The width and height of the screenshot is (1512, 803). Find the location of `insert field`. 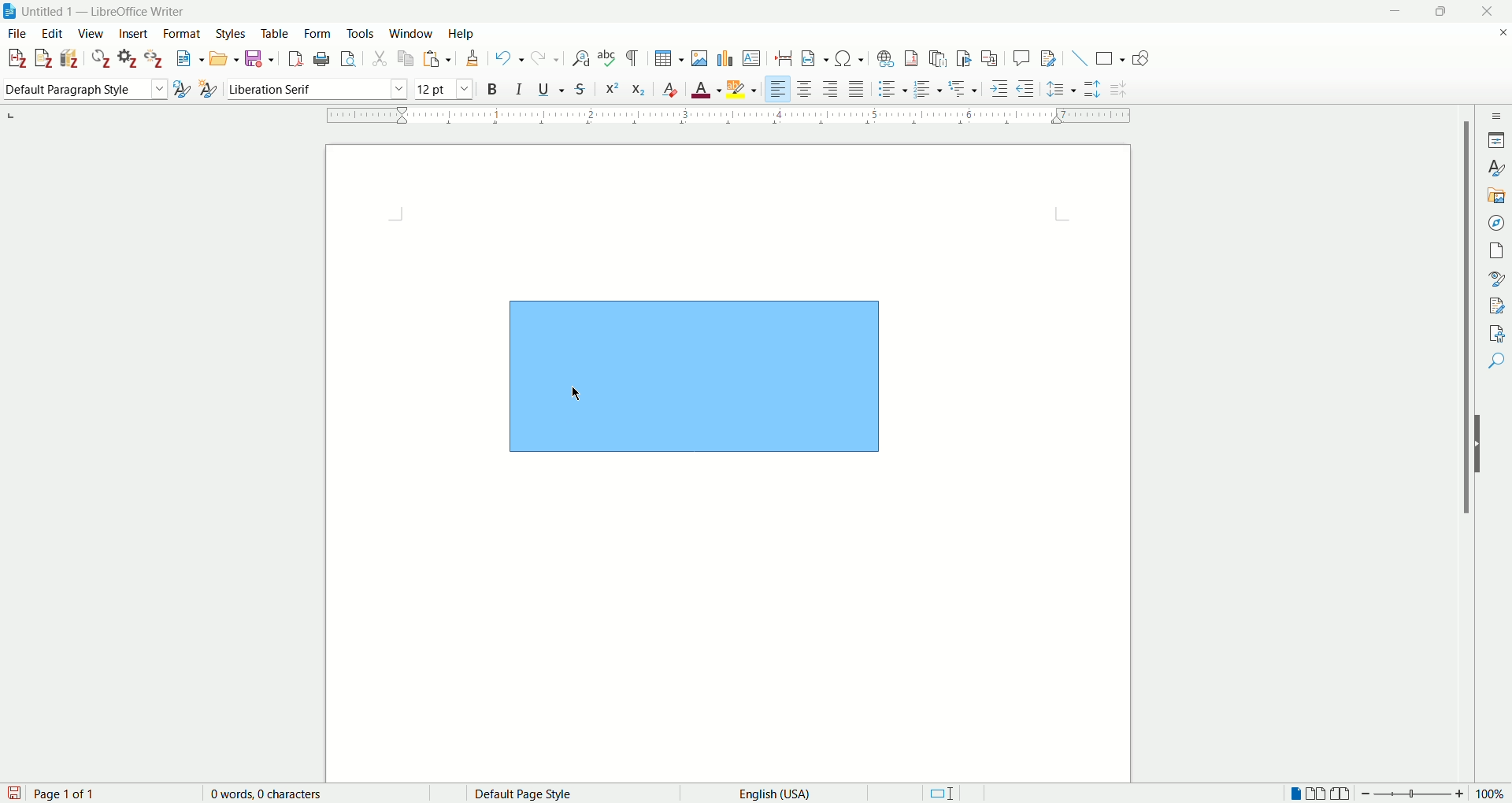

insert field is located at coordinates (817, 59).